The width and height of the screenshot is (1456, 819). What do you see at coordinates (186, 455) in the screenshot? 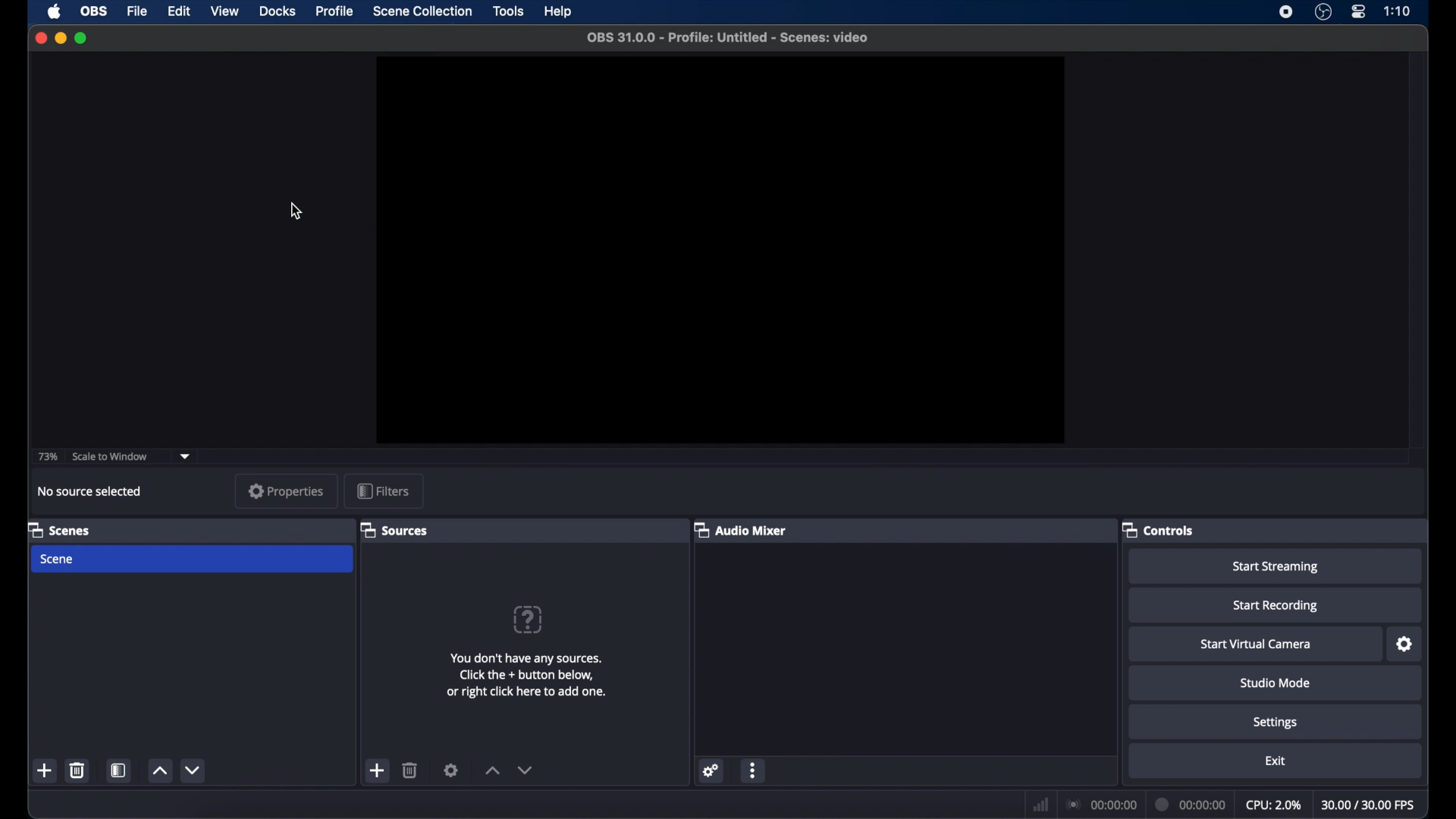
I see `dropdown` at bounding box center [186, 455].